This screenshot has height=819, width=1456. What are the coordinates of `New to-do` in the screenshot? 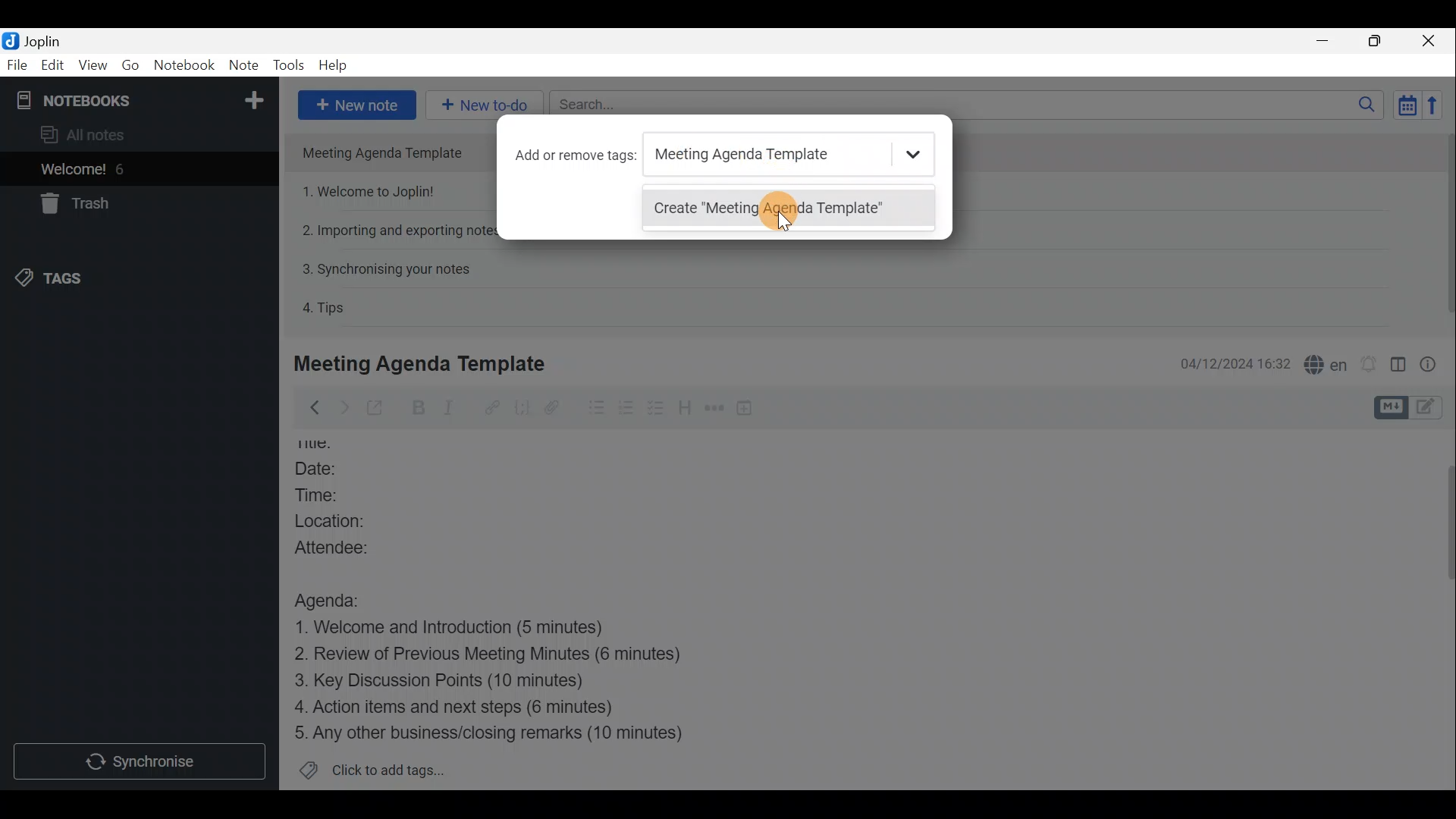 It's located at (477, 102).